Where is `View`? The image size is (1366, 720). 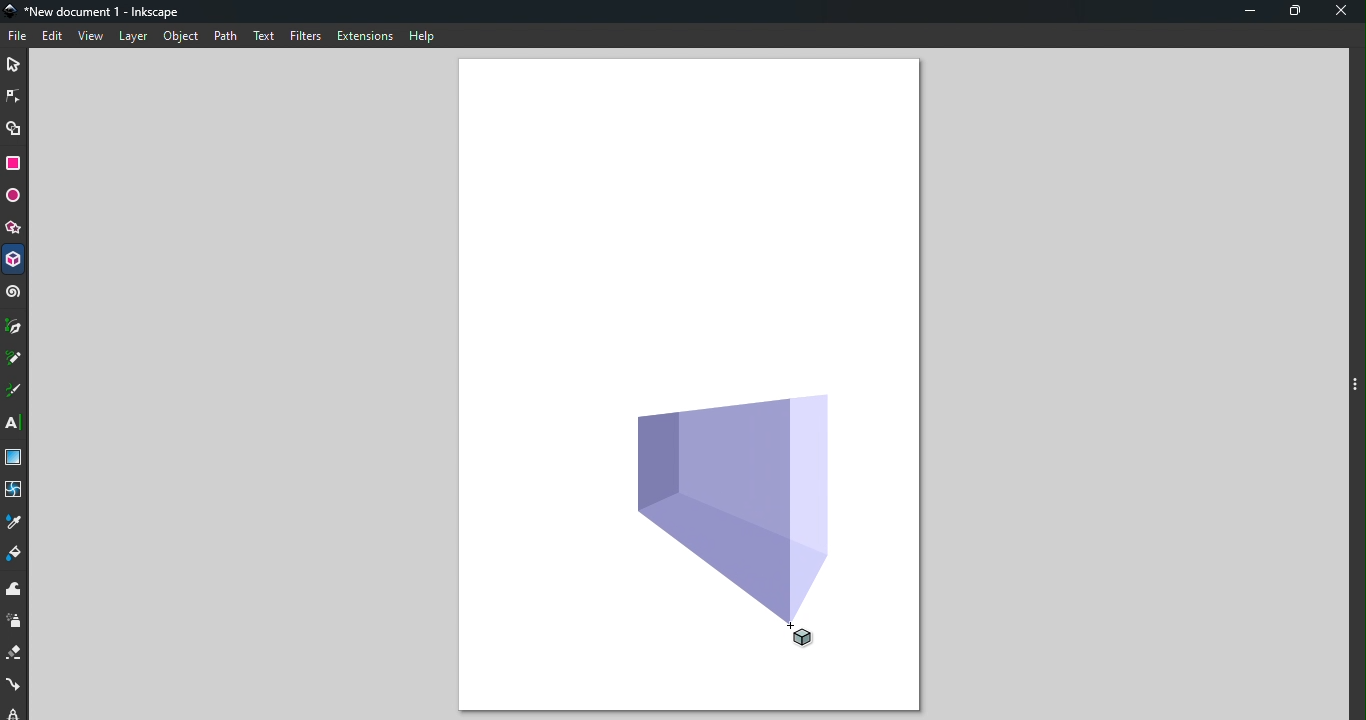
View is located at coordinates (91, 36).